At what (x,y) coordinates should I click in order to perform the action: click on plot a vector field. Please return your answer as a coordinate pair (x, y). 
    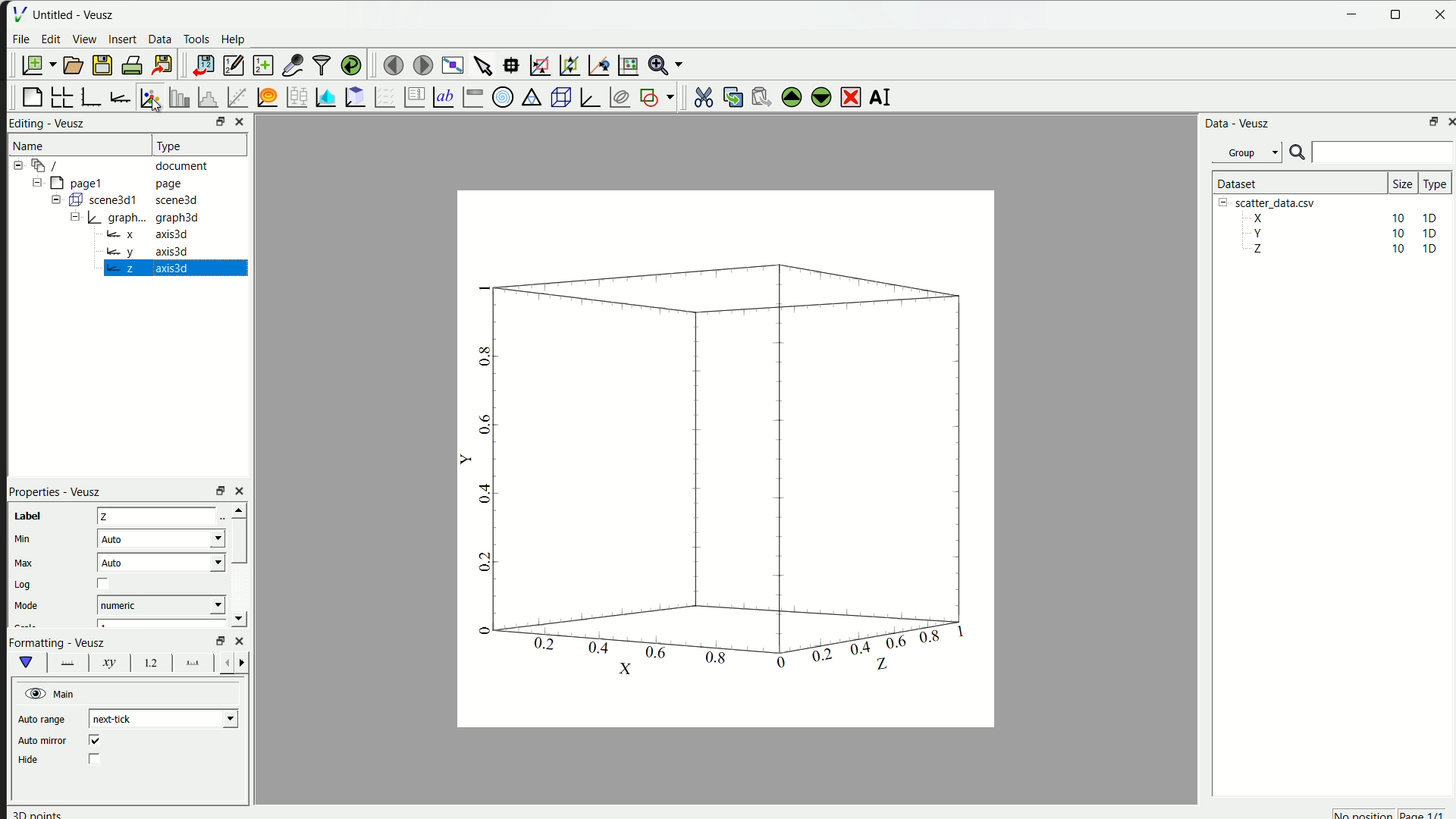
    Looking at the image, I should click on (382, 97).